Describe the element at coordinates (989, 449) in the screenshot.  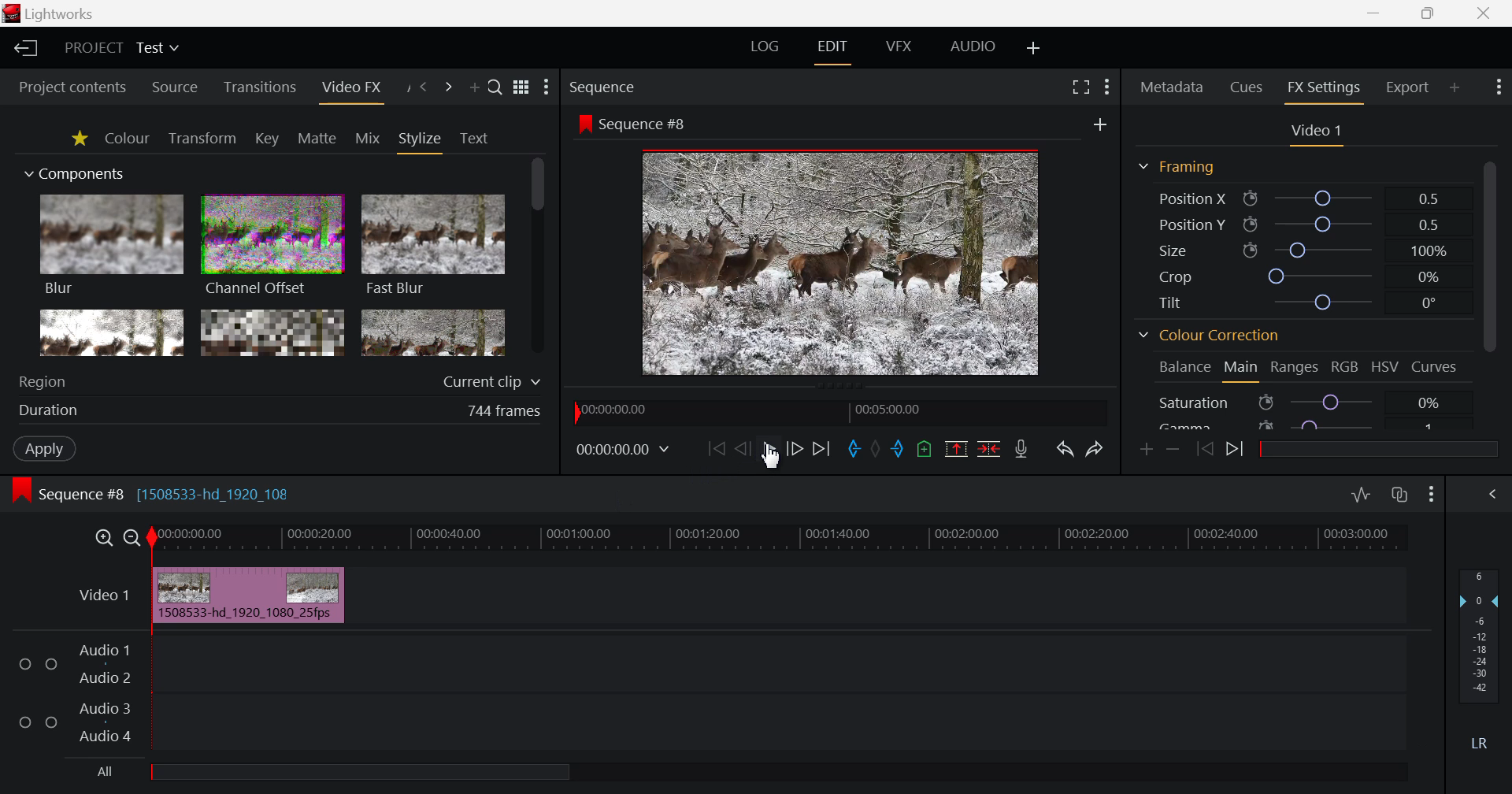
I see `Delete/Cut` at that location.